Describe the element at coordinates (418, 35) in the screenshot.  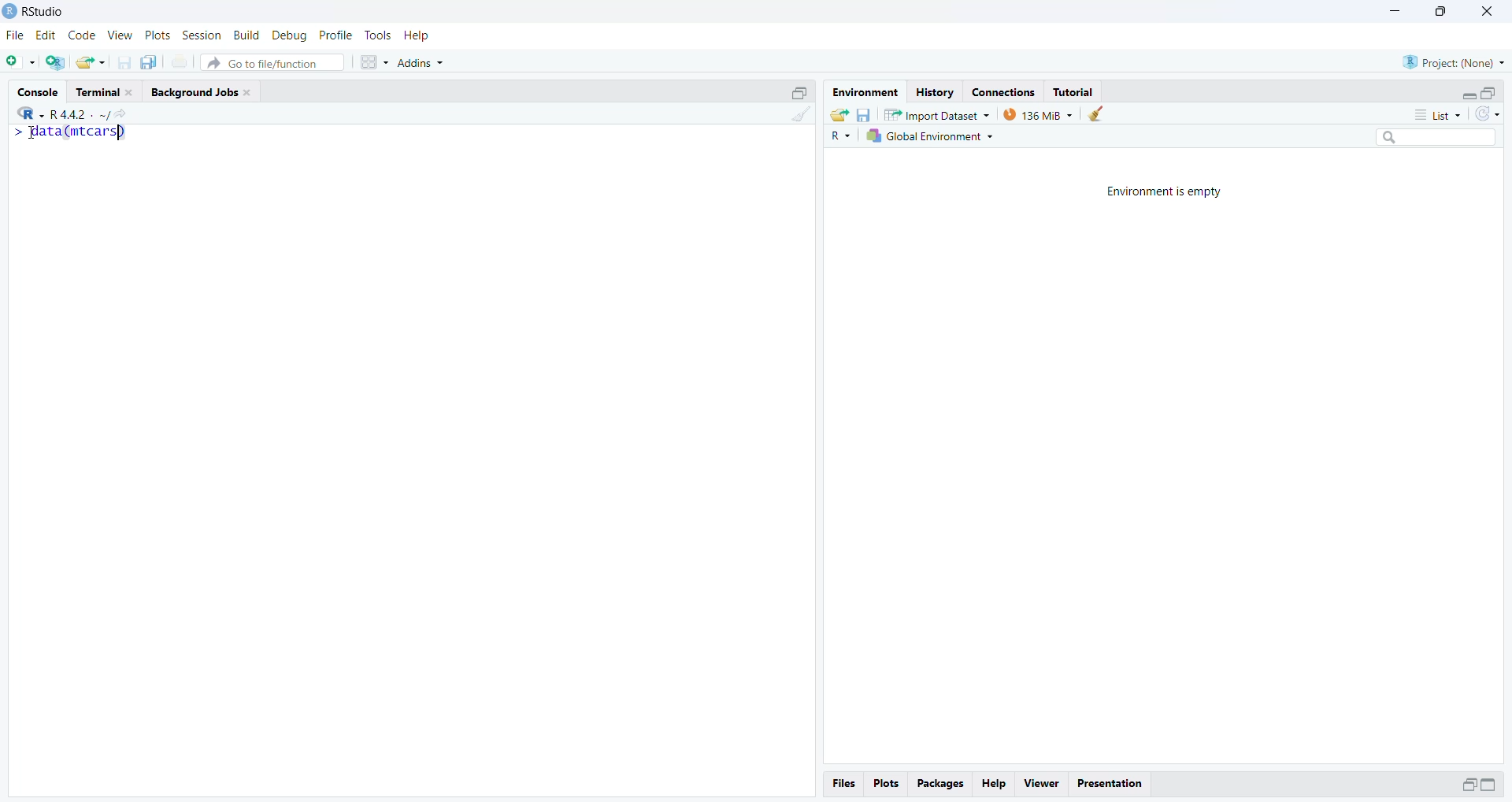
I see `Help` at that location.